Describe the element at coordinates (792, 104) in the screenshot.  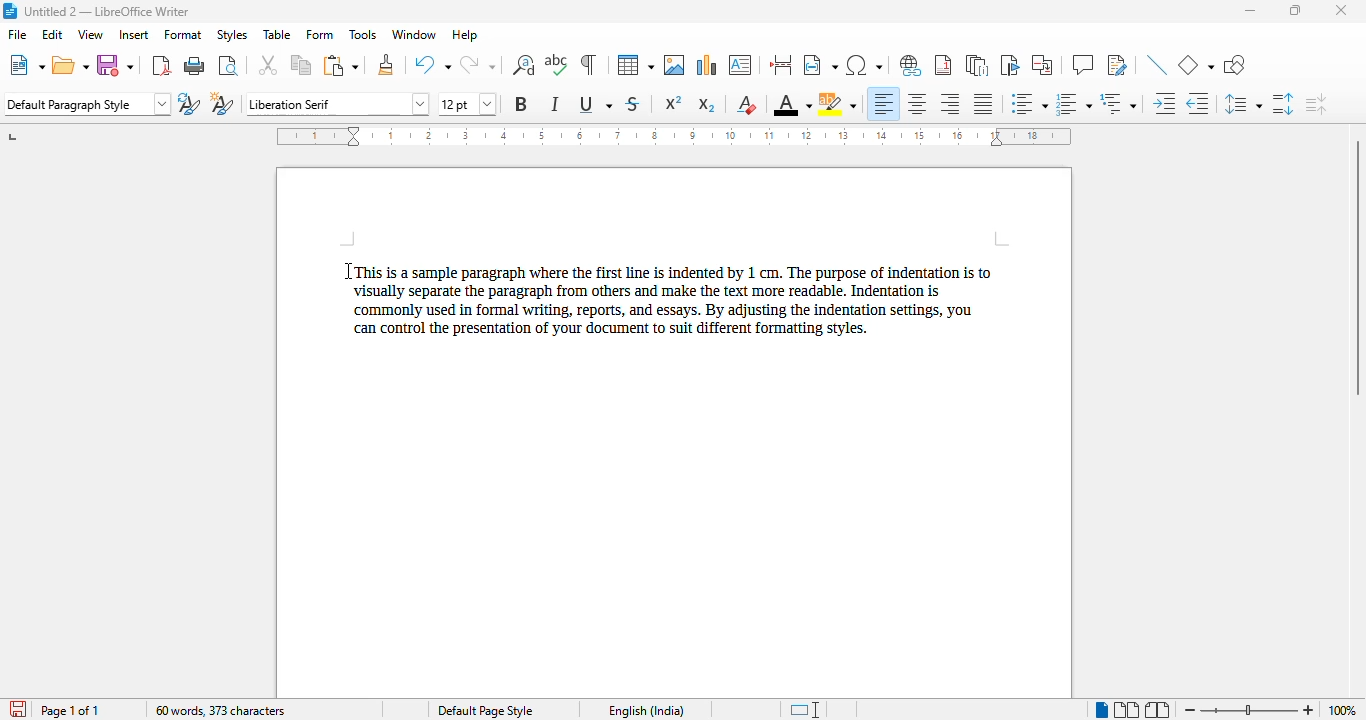
I see `font color` at that location.